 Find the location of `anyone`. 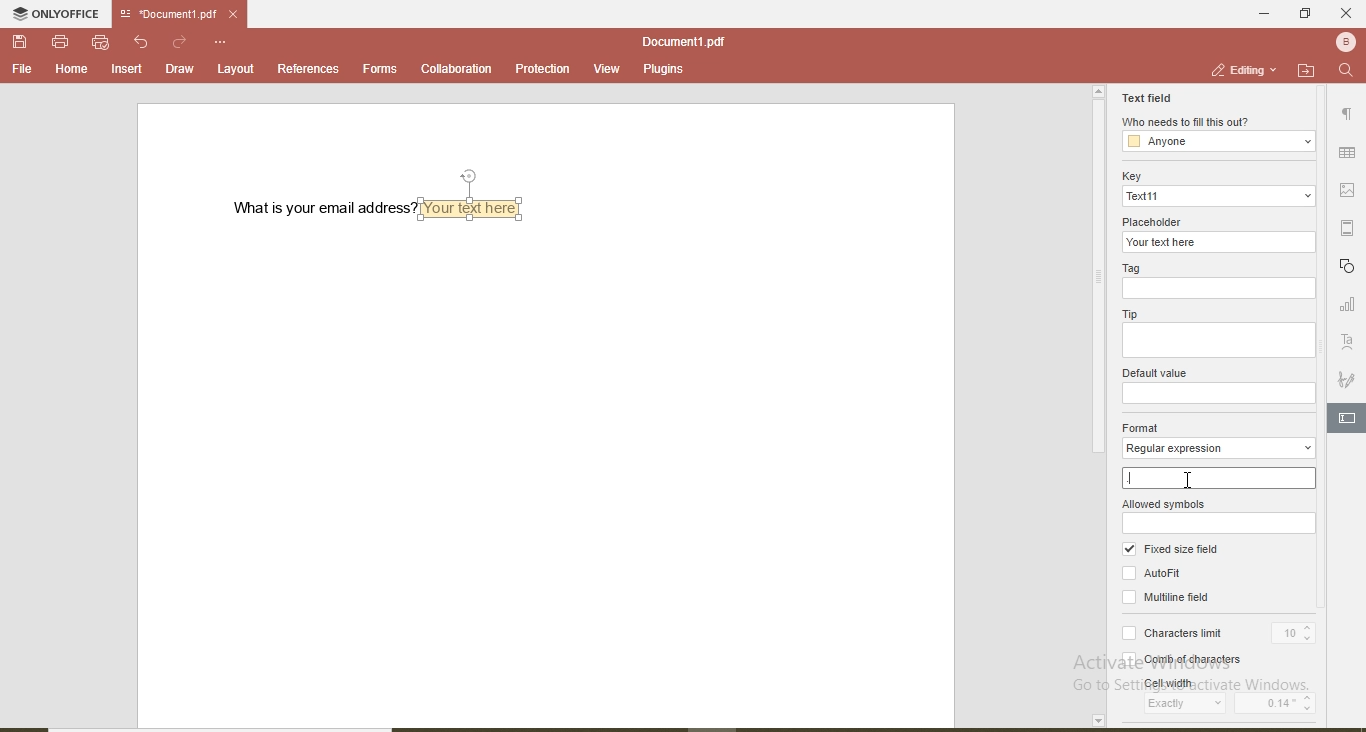

anyone is located at coordinates (1220, 142).